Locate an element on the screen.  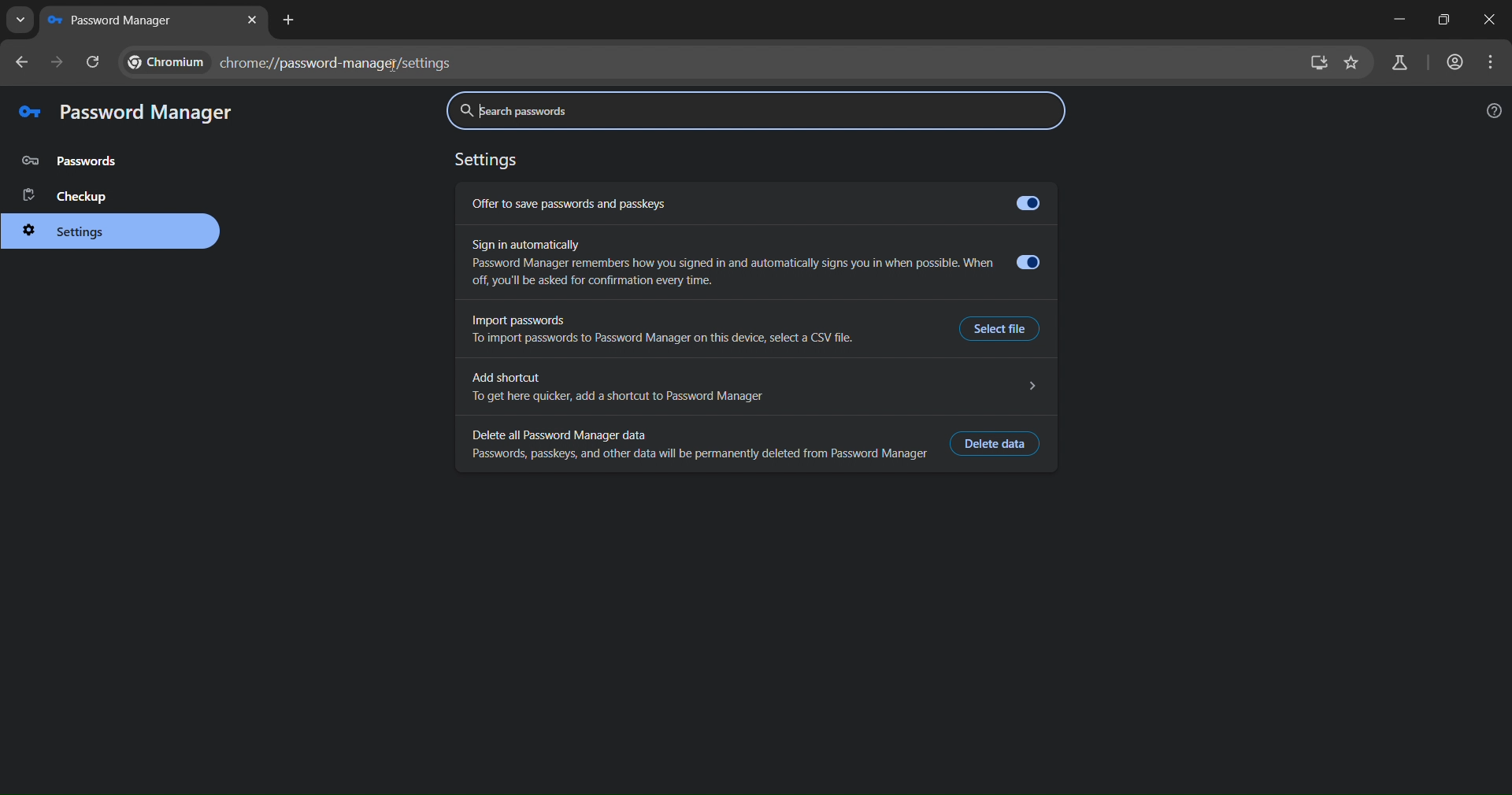
Delete data is located at coordinates (999, 445).